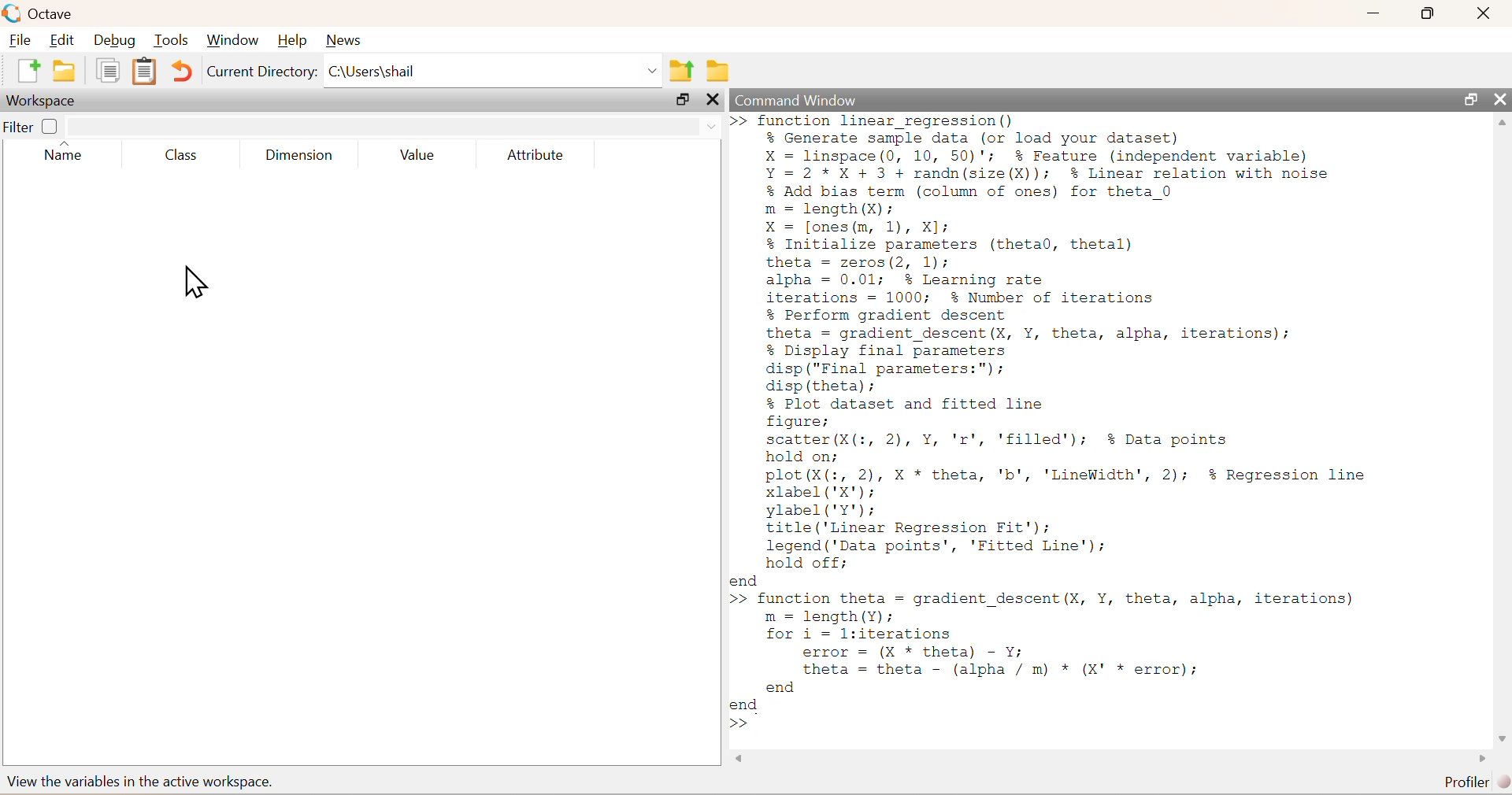 This screenshot has width=1512, height=795. I want to click on File, so click(20, 40).